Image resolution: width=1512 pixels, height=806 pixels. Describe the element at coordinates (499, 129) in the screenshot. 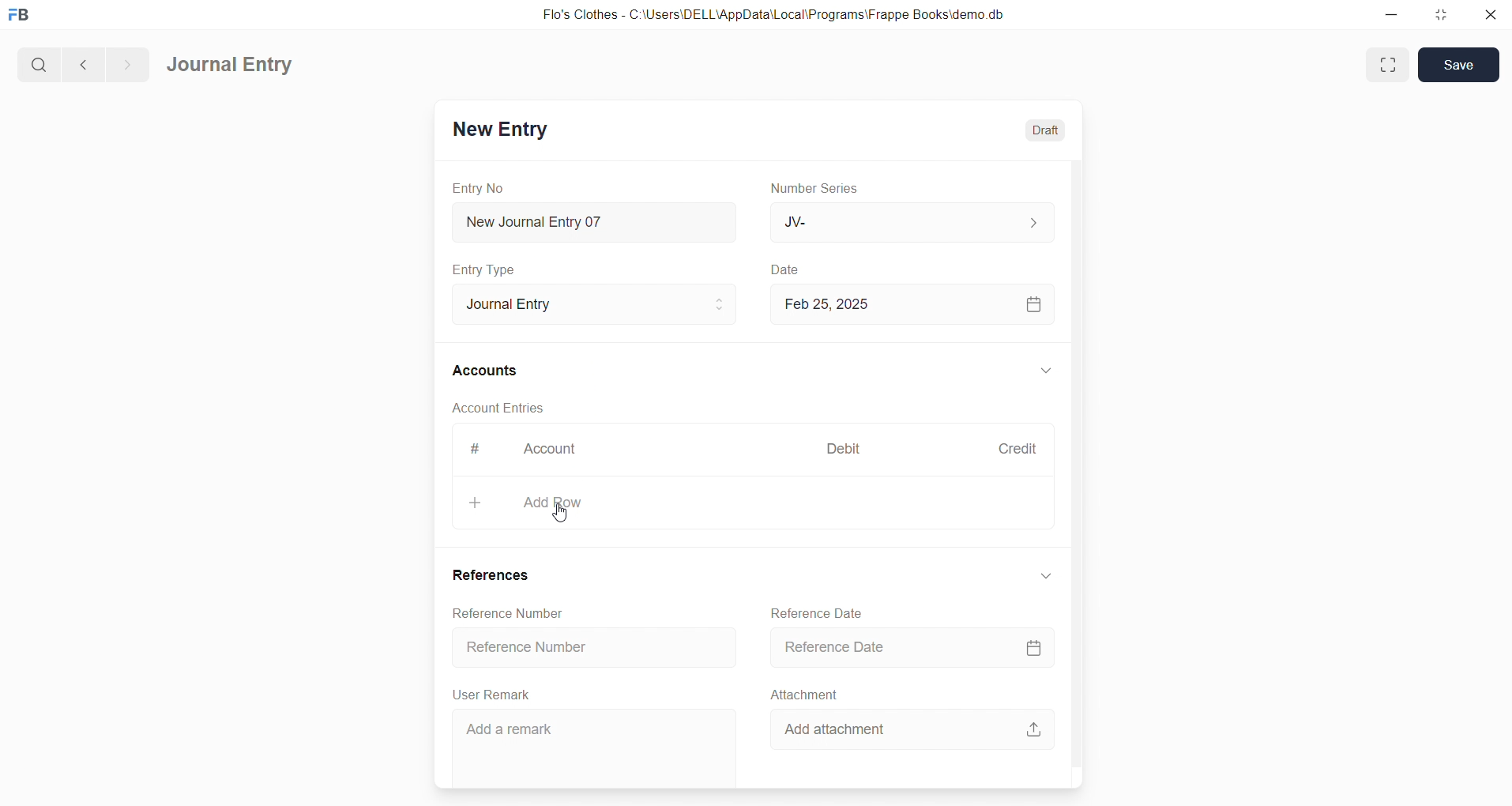

I see `New Entry` at that location.